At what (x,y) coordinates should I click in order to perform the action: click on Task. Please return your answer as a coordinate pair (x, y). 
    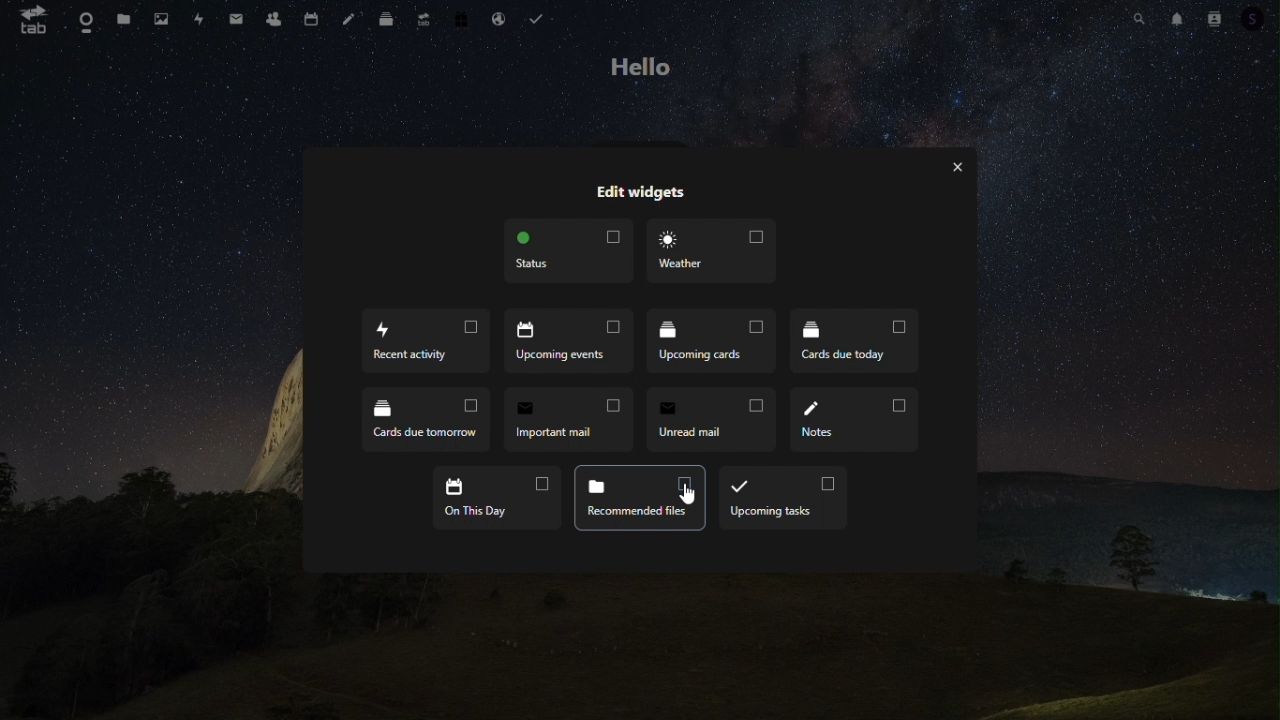
    Looking at the image, I should click on (543, 21).